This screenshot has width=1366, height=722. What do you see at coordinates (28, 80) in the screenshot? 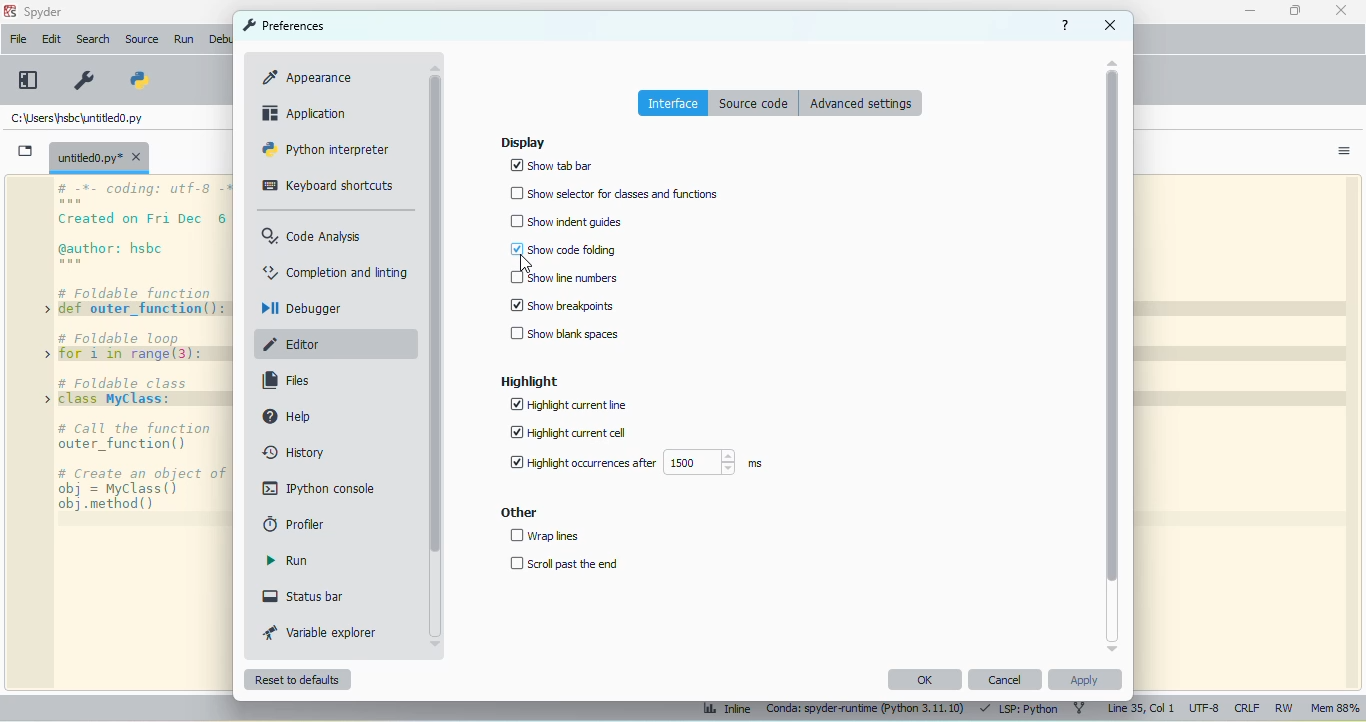
I see `maximize current pane` at bounding box center [28, 80].